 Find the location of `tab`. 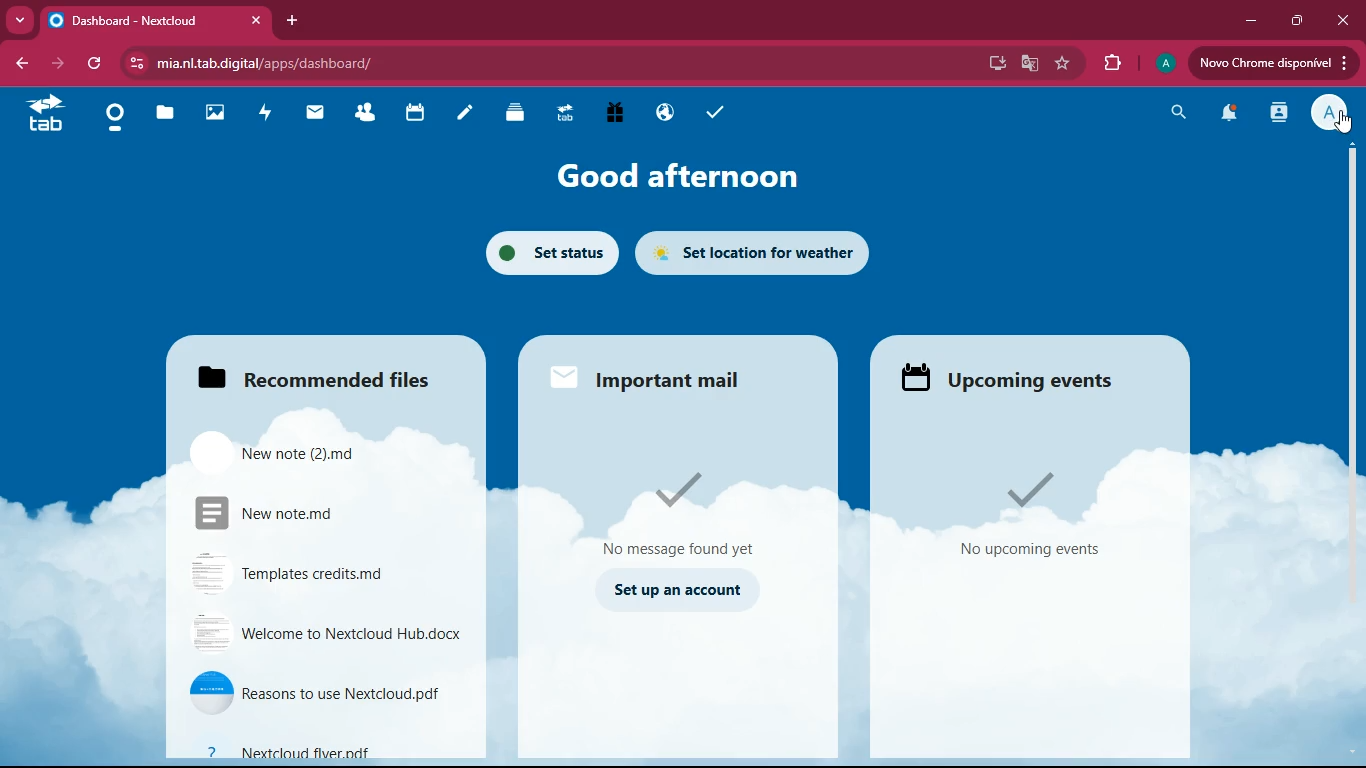

tab is located at coordinates (154, 18).